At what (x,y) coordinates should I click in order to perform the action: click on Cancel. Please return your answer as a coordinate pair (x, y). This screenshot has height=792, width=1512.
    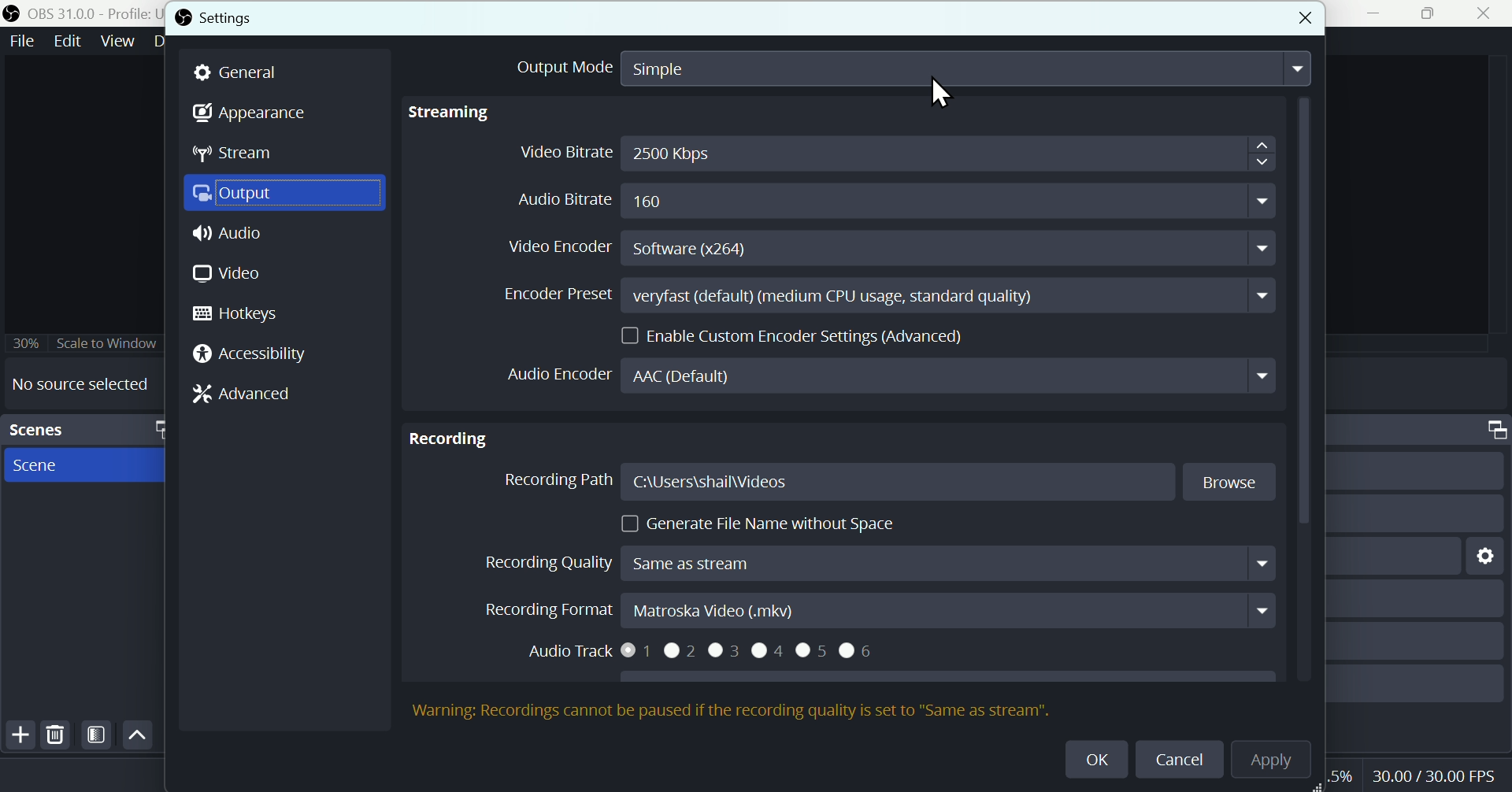
    Looking at the image, I should click on (1179, 761).